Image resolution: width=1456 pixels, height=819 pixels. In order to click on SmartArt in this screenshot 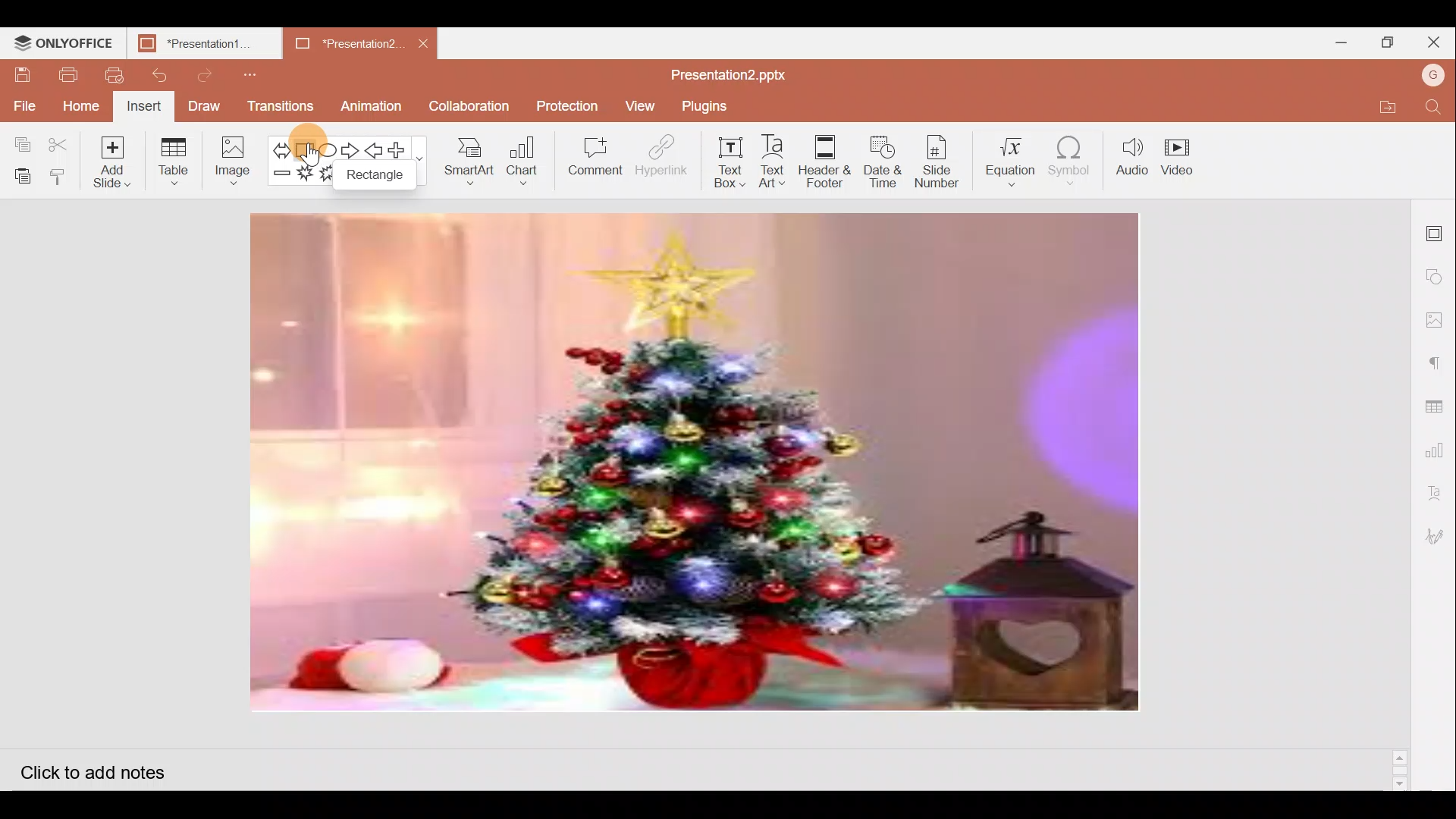, I will do `click(468, 164)`.